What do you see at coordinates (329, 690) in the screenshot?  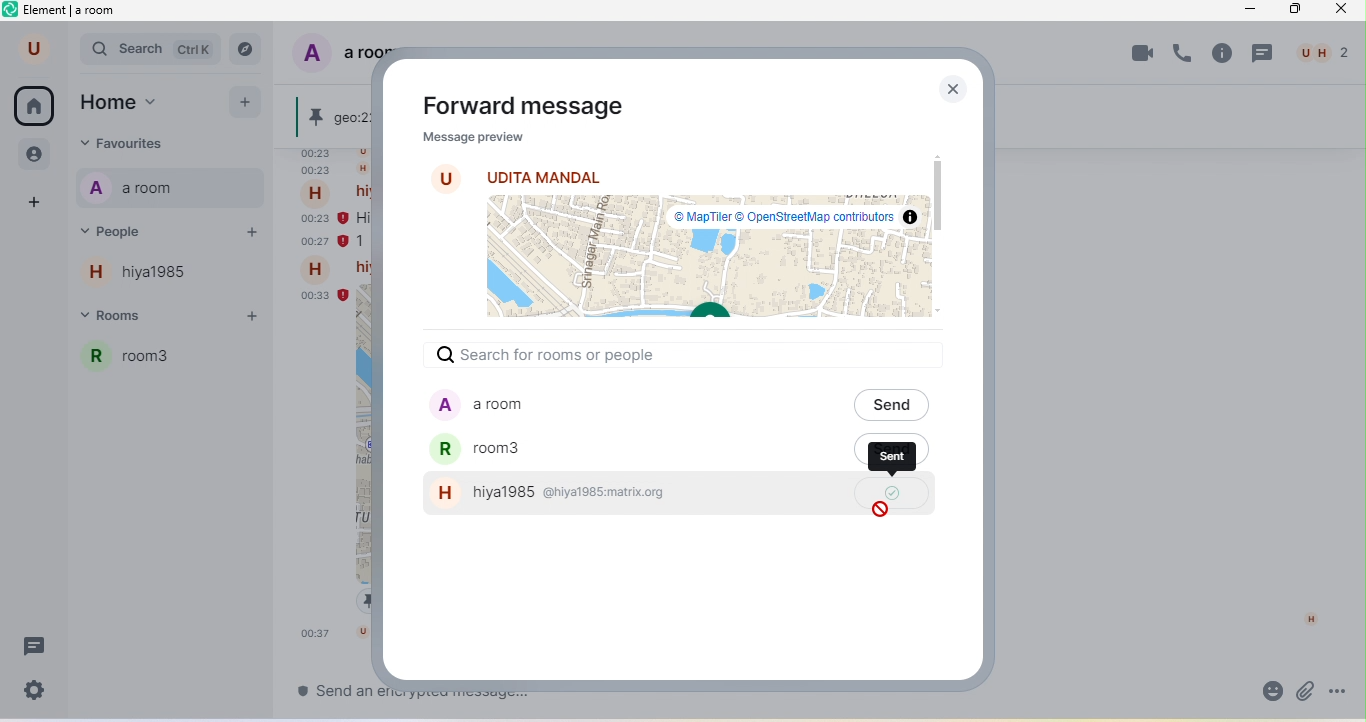 I see `` at bounding box center [329, 690].